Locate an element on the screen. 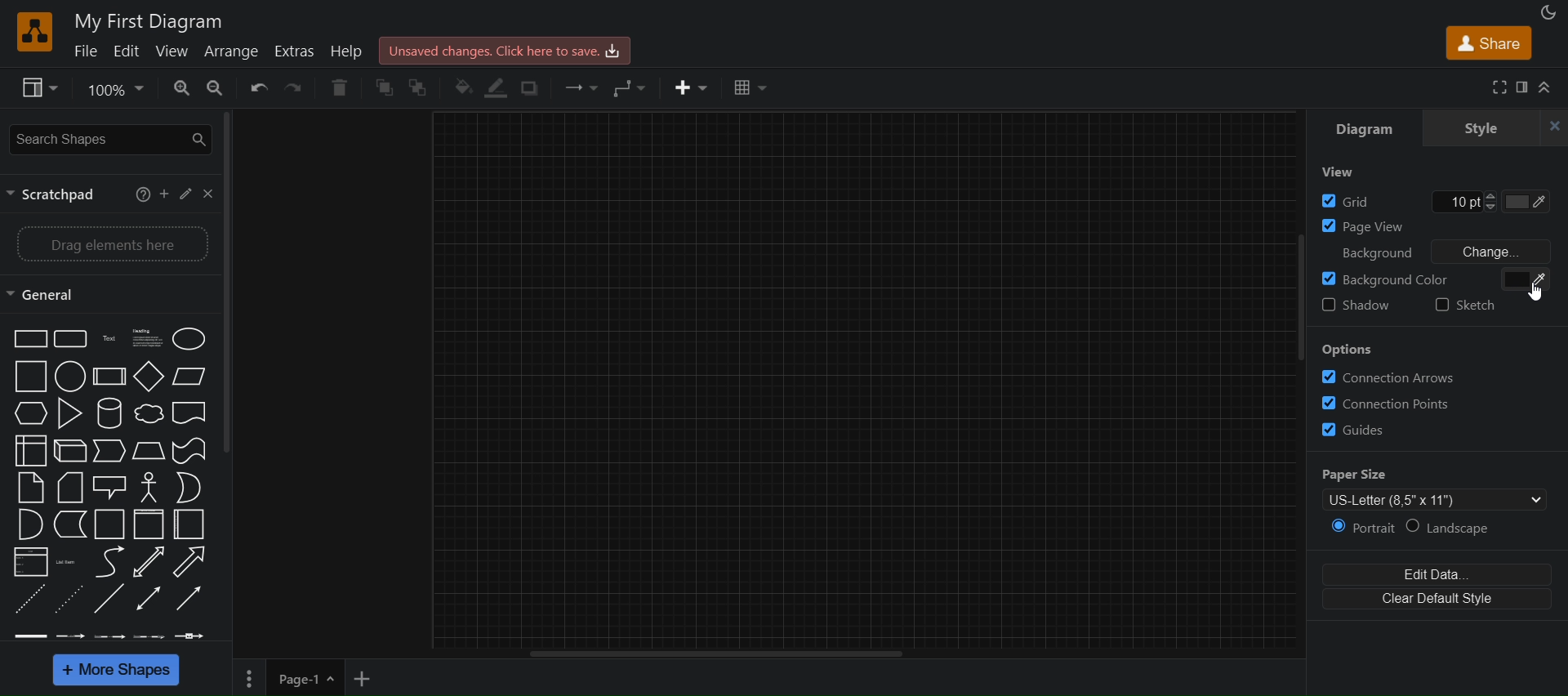 This screenshot has height=696, width=1568. page view is located at coordinates (1434, 225).